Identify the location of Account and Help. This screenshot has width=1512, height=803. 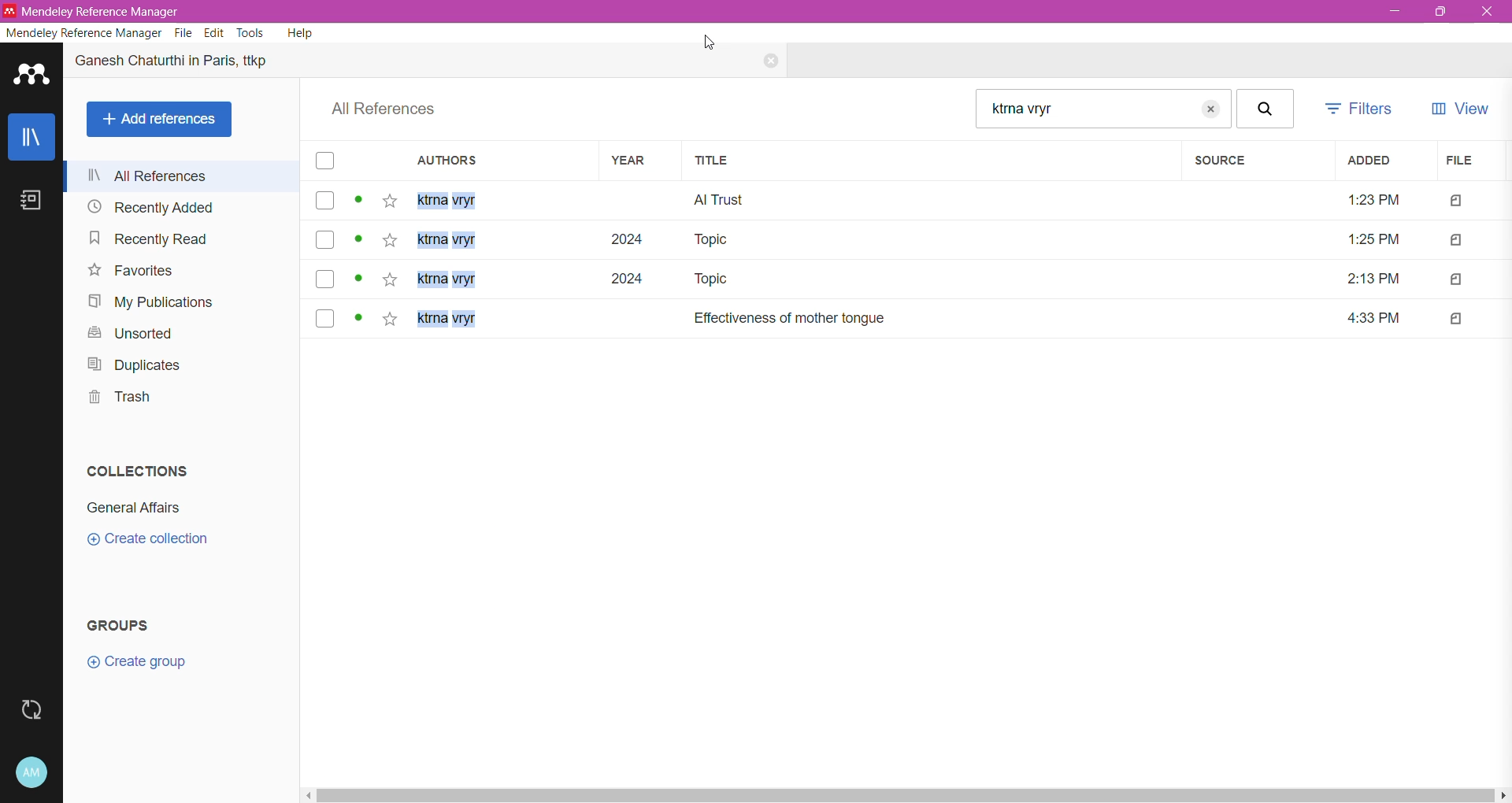
(31, 772).